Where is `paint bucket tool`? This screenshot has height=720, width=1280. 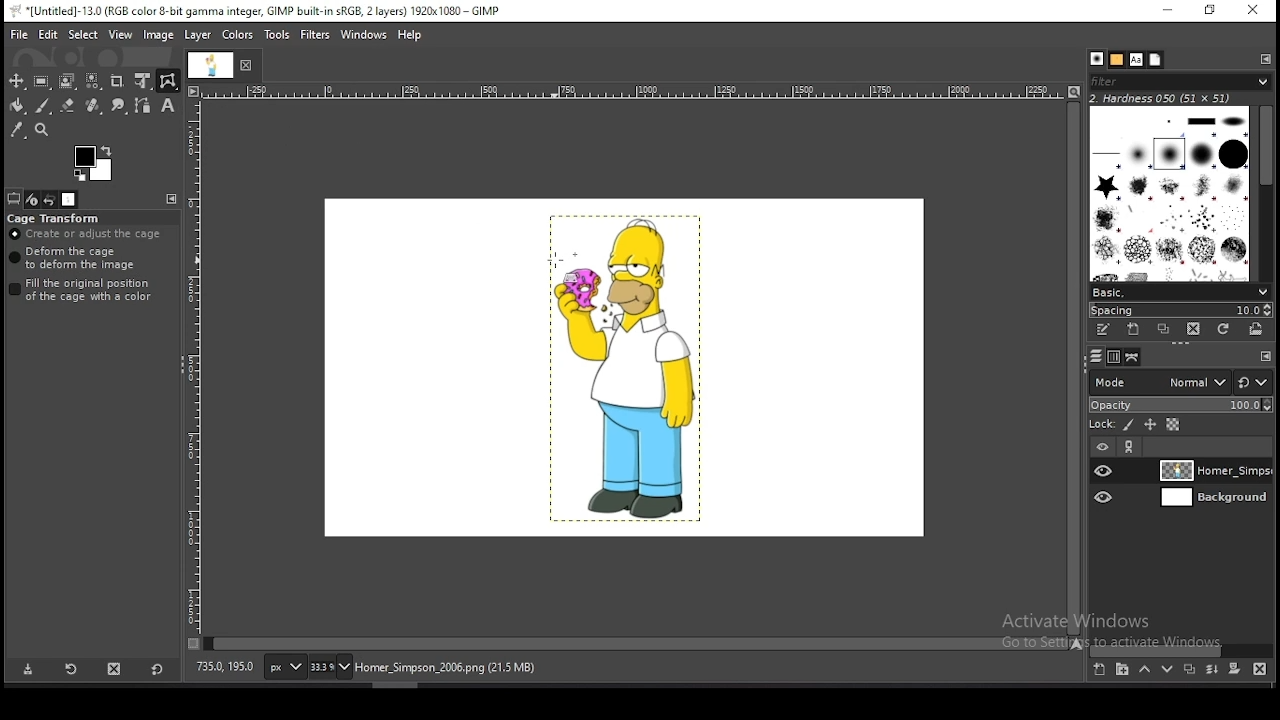
paint bucket tool is located at coordinates (17, 105).